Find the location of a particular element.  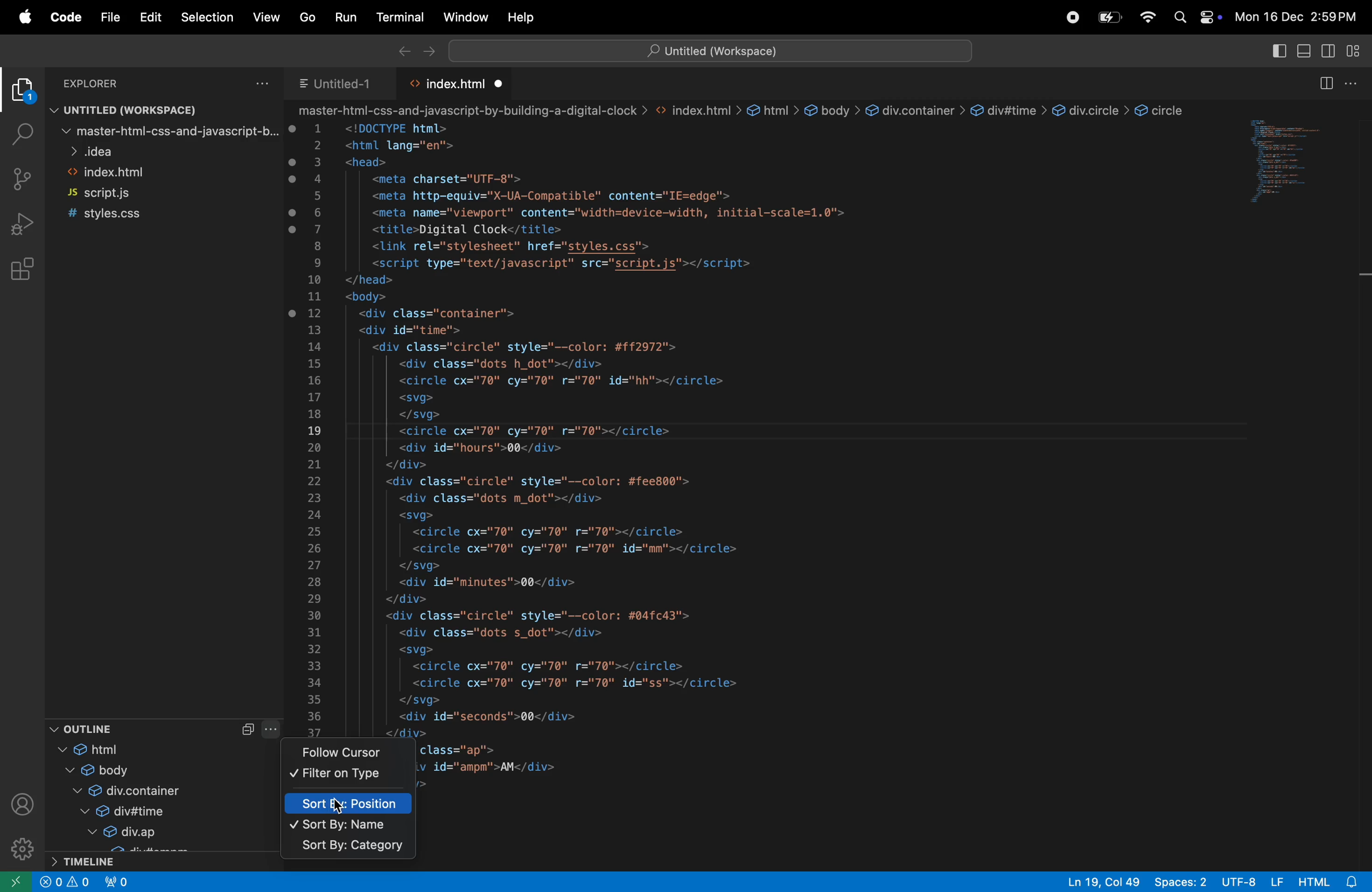

body is located at coordinates (148, 770).